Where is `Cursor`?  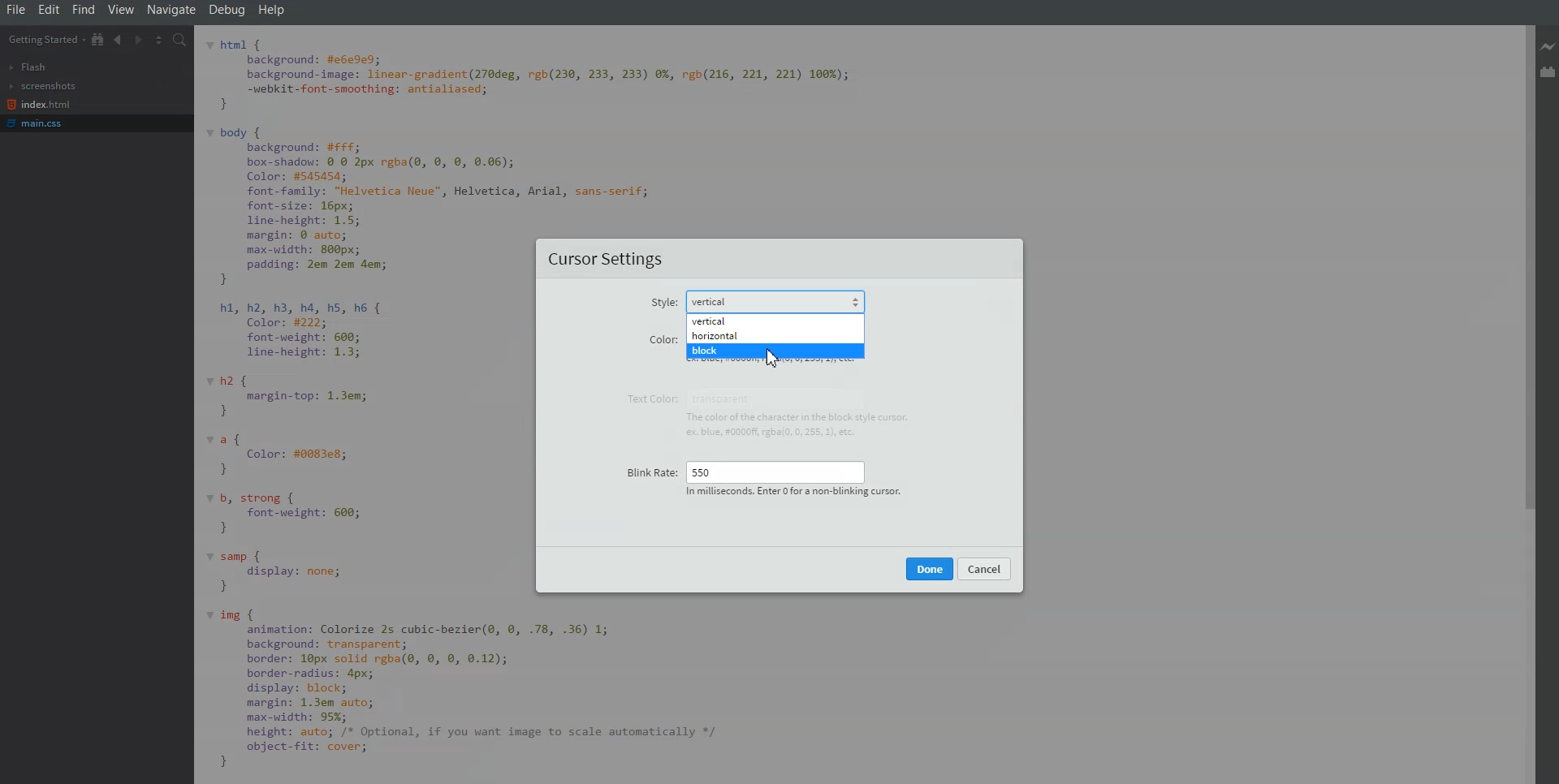 Cursor is located at coordinates (775, 363).